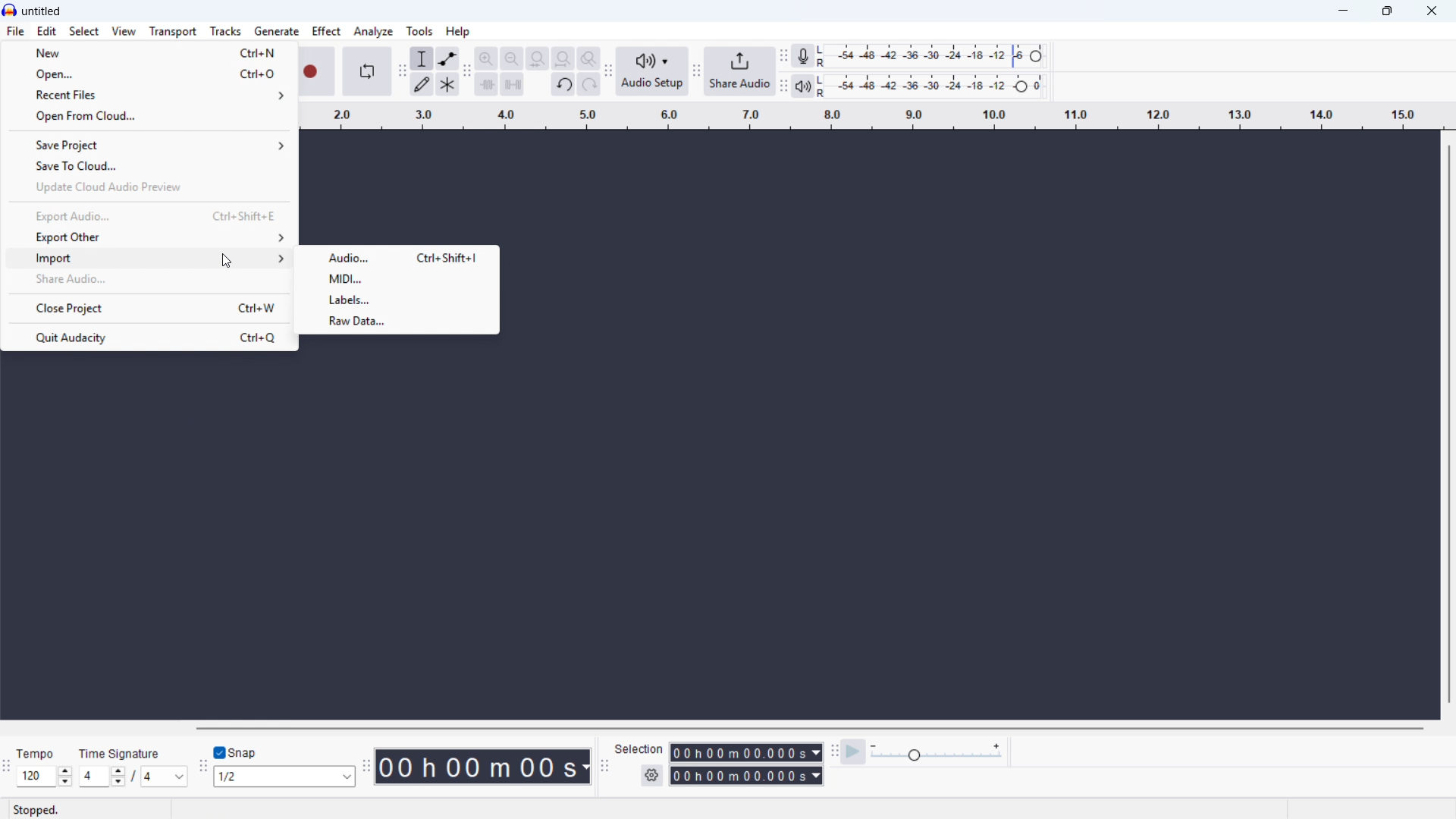 The height and width of the screenshot is (819, 1456). Describe the element at coordinates (784, 56) in the screenshot. I see `Recording metre toolbar ` at that location.